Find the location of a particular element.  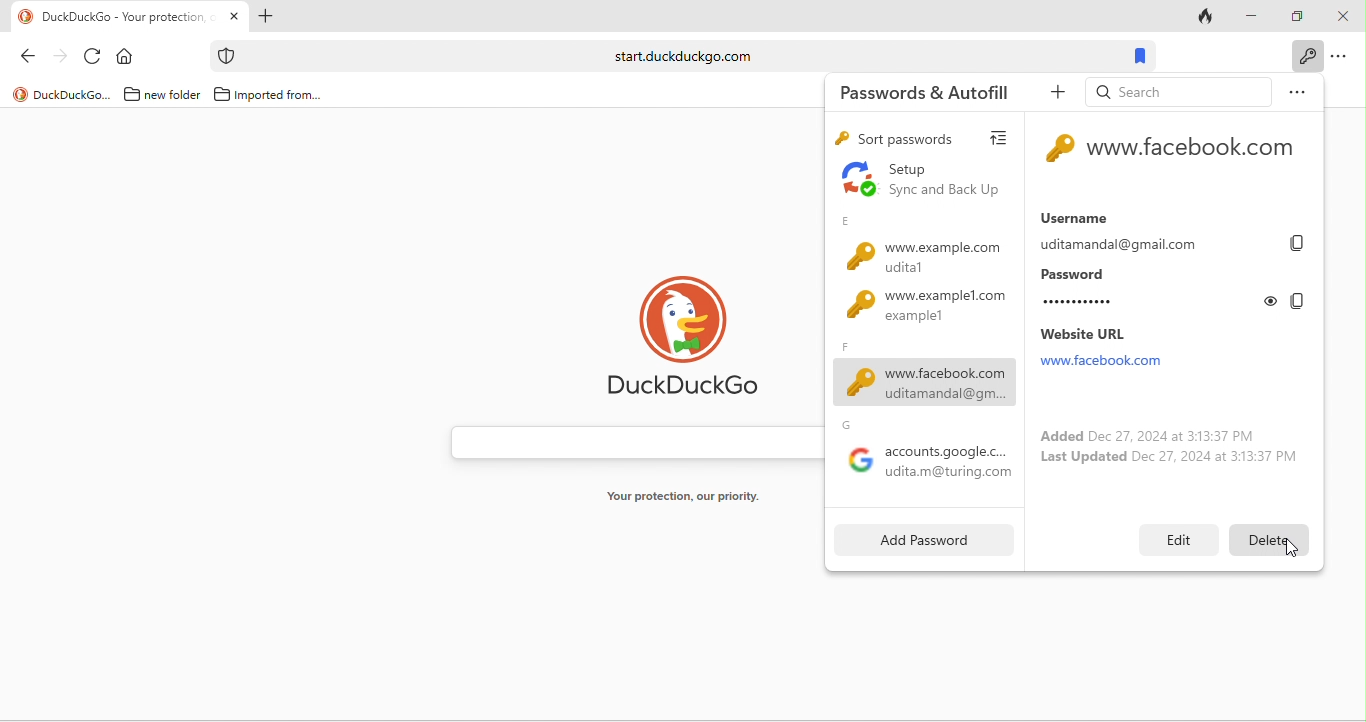

cursor is located at coordinates (1295, 547).